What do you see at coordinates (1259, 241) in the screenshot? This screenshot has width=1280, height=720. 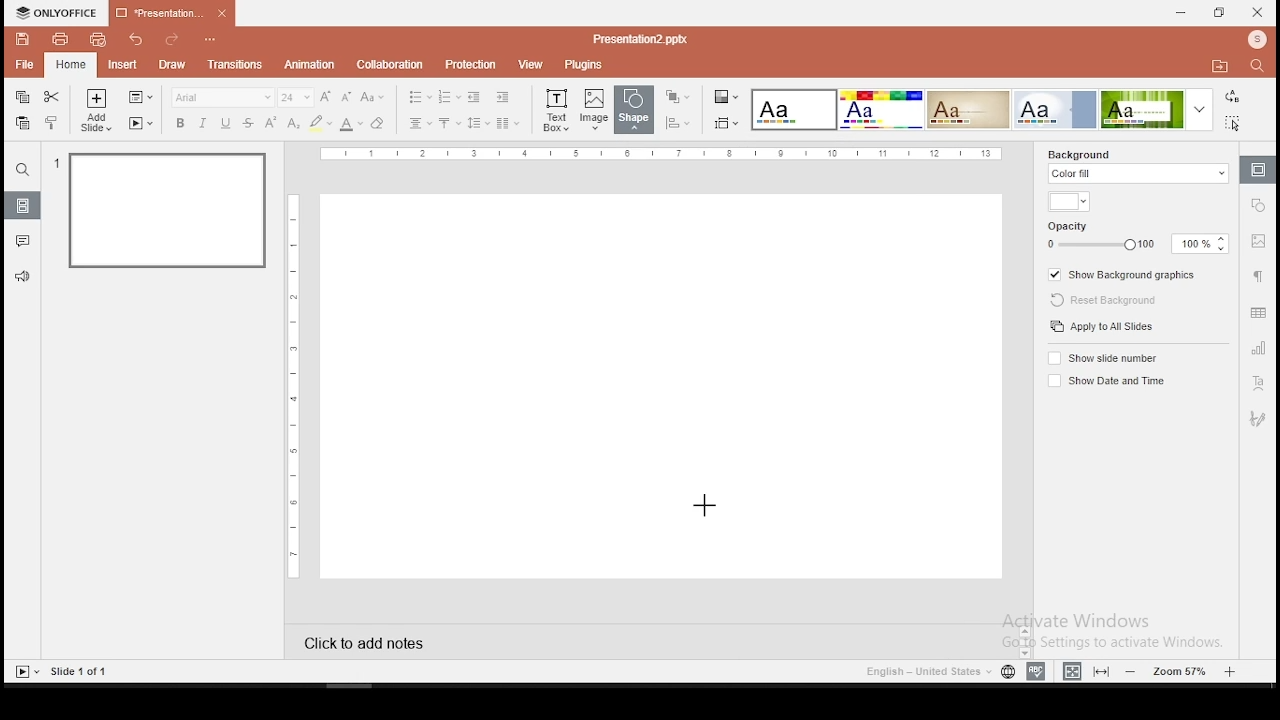 I see `image settings` at bounding box center [1259, 241].